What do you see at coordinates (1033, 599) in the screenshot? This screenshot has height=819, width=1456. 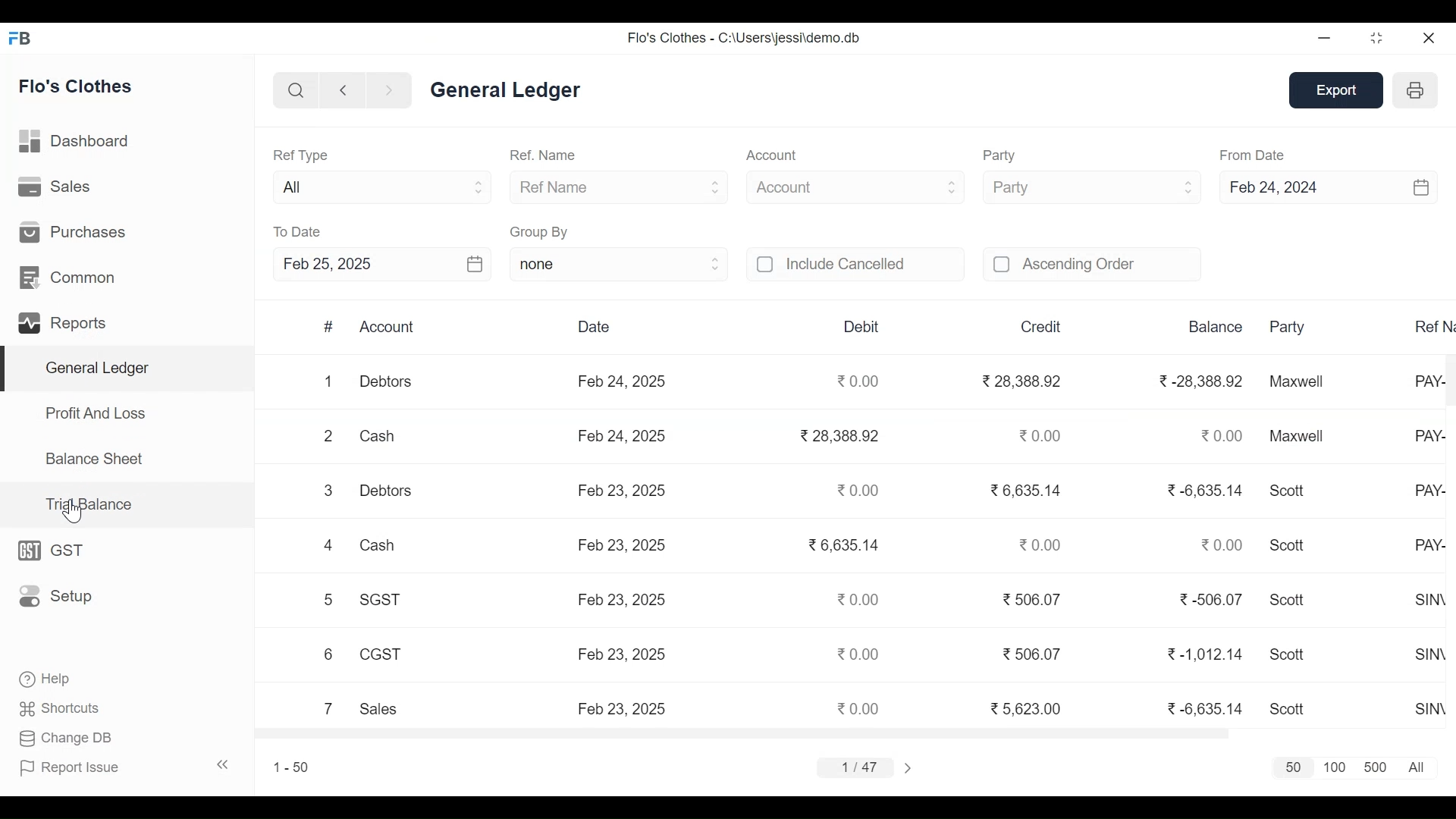 I see `506.07` at bounding box center [1033, 599].